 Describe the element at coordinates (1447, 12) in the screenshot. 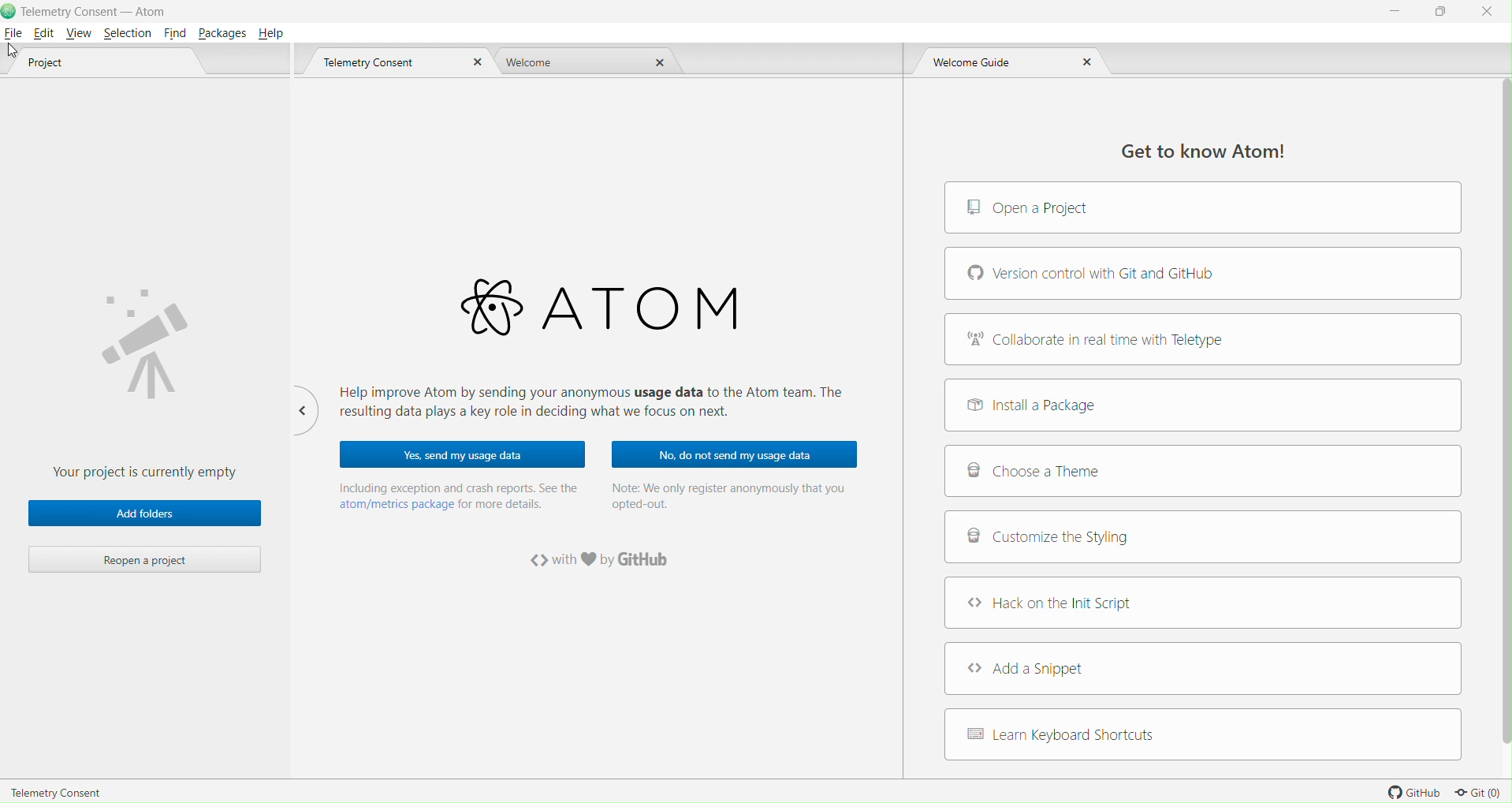

I see `Restore Down` at that location.